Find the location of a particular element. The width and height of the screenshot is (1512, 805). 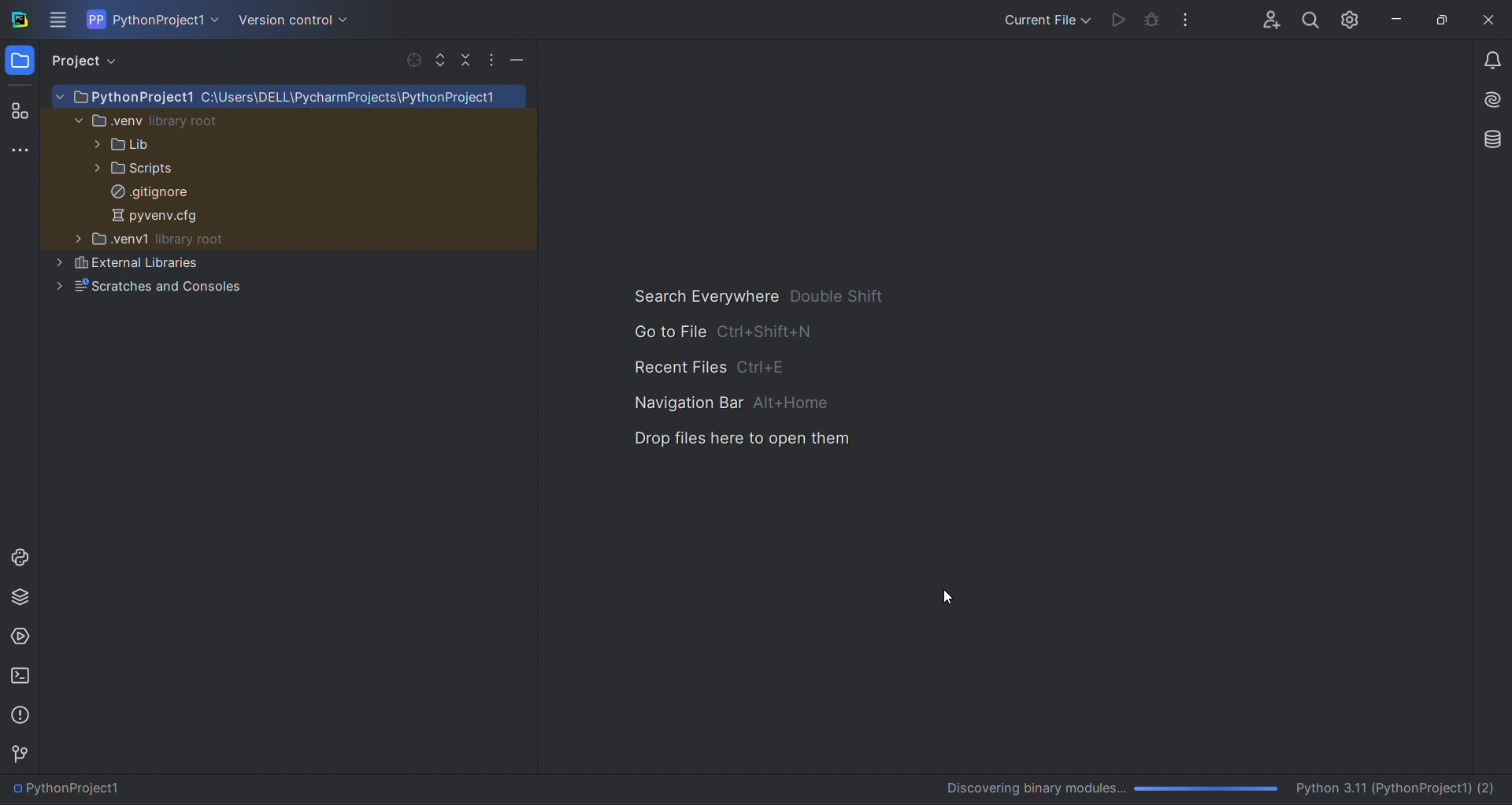

terminal is located at coordinates (23, 677).